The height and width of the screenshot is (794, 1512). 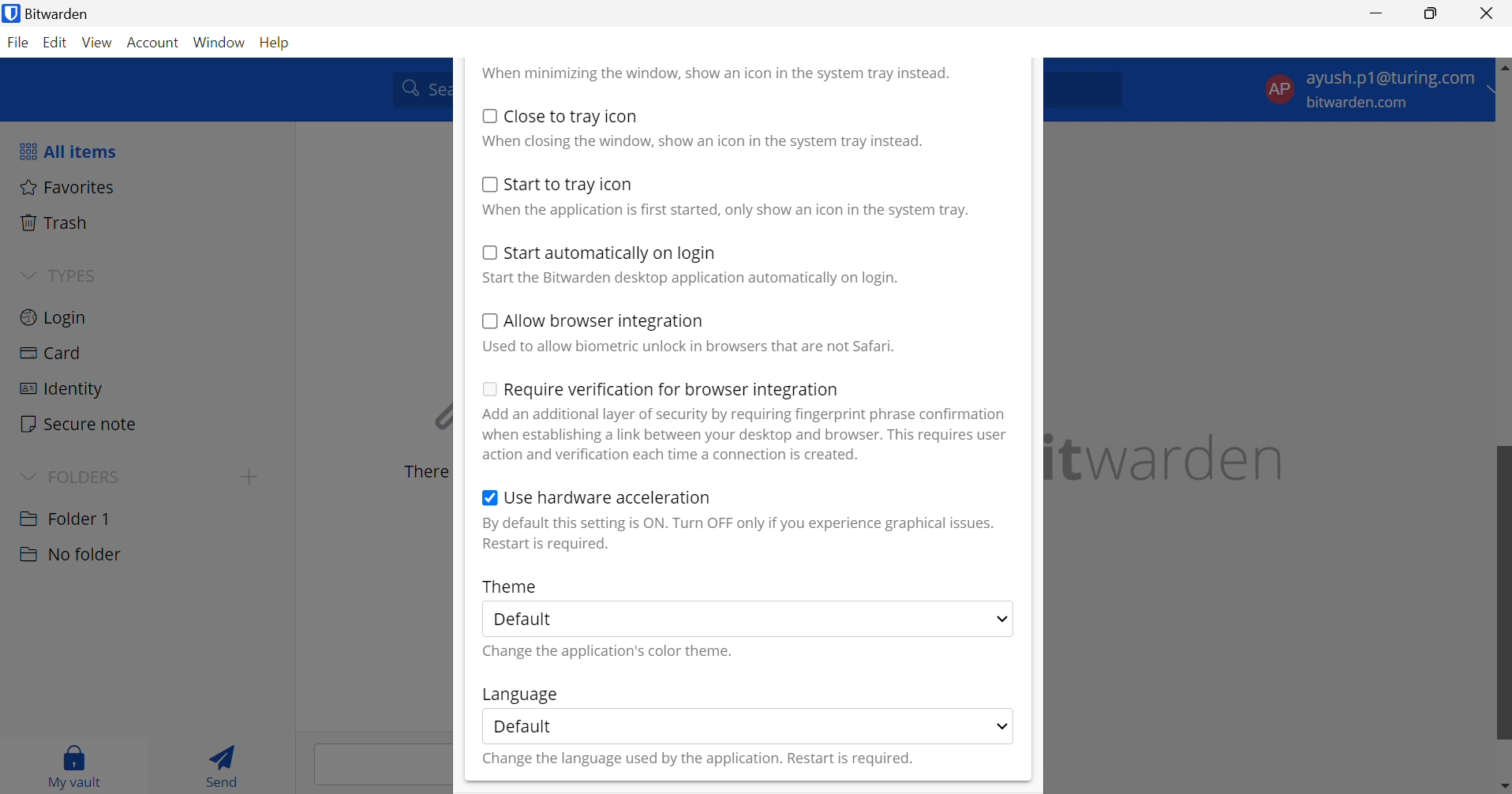 What do you see at coordinates (696, 760) in the screenshot?
I see `Change the language used by  the application. Restart is required.` at bounding box center [696, 760].